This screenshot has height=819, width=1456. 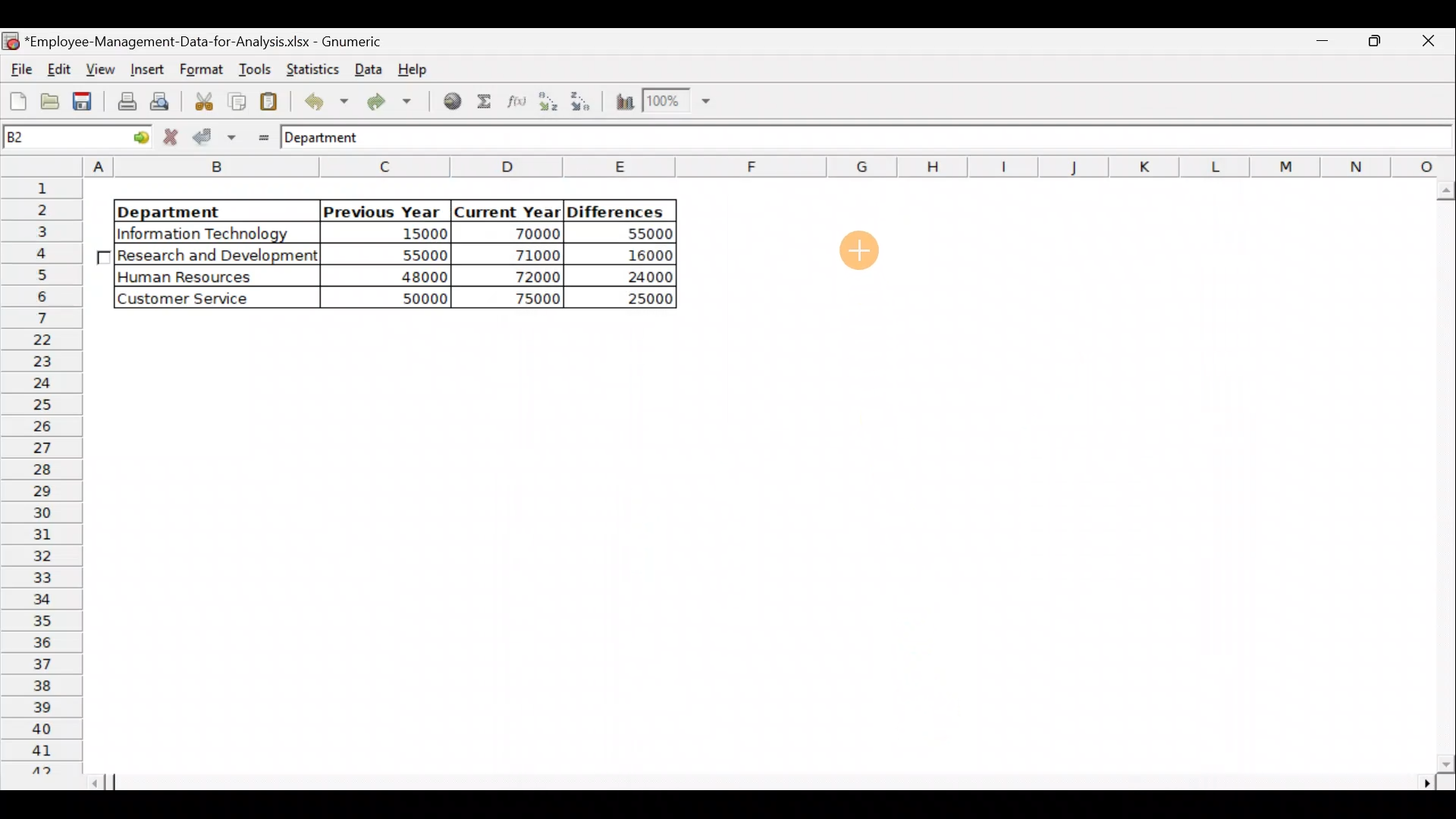 I want to click on Open a file, so click(x=49, y=104).